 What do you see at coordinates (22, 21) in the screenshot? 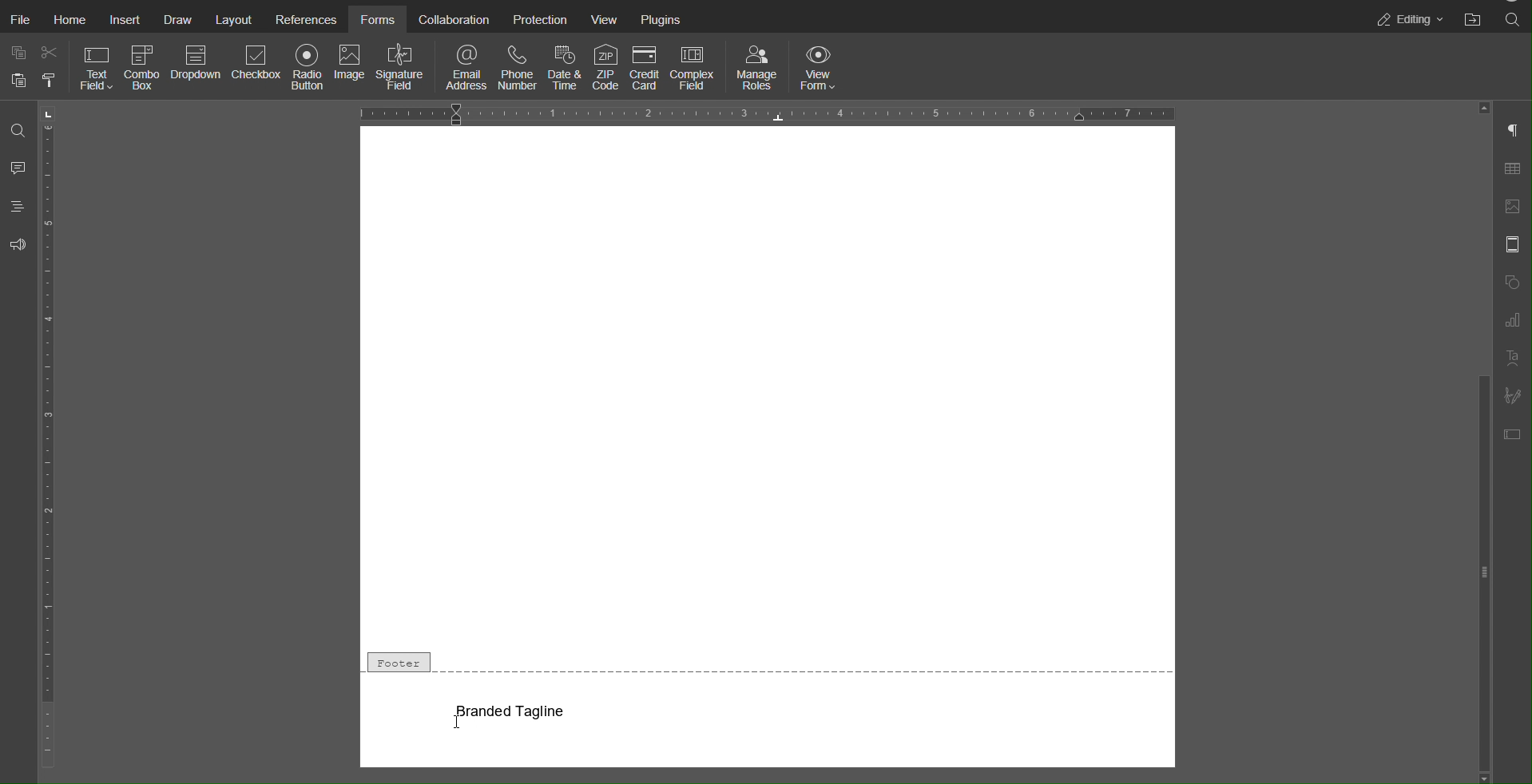
I see `File` at bounding box center [22, 21].